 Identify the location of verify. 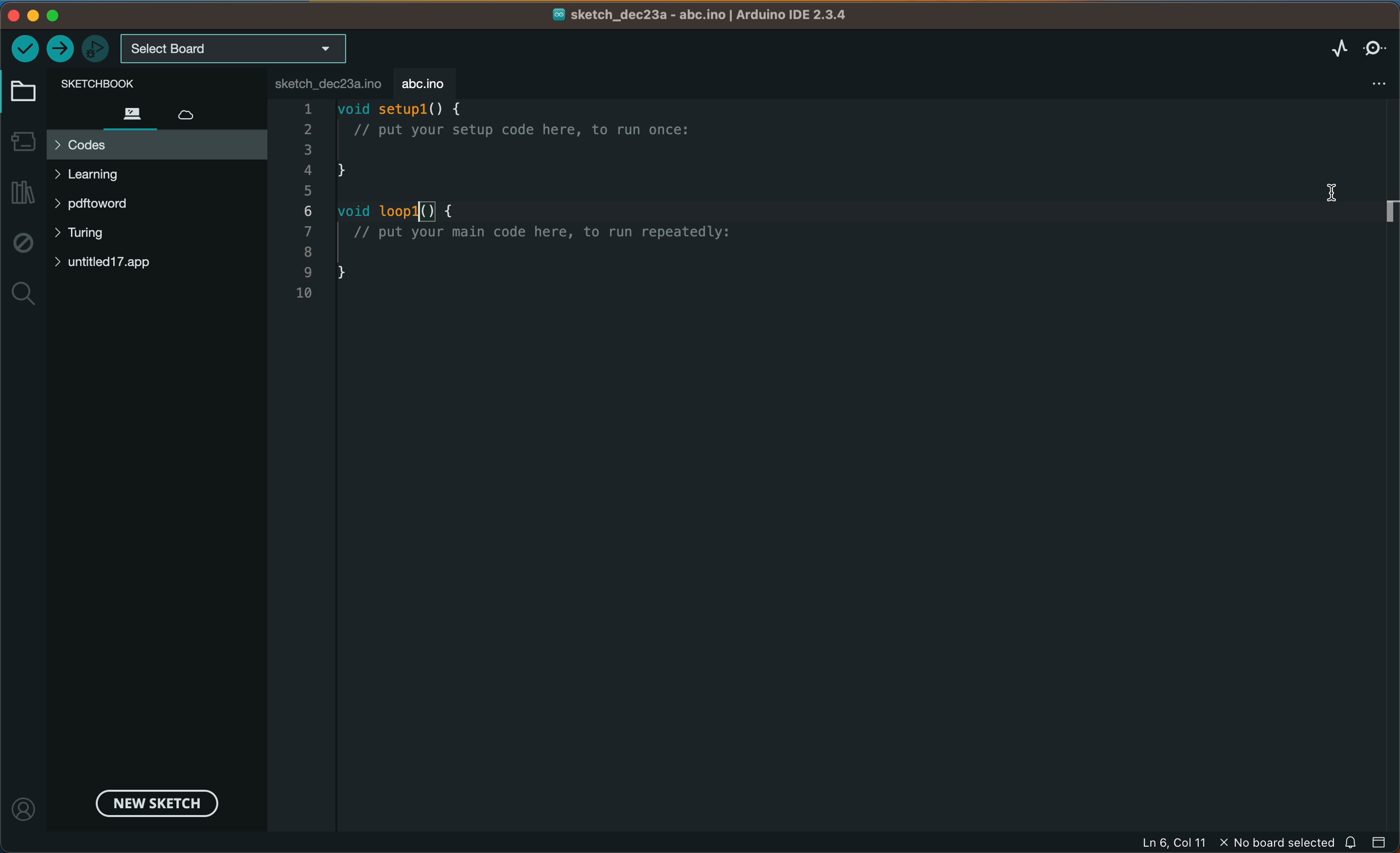
(27, 48).